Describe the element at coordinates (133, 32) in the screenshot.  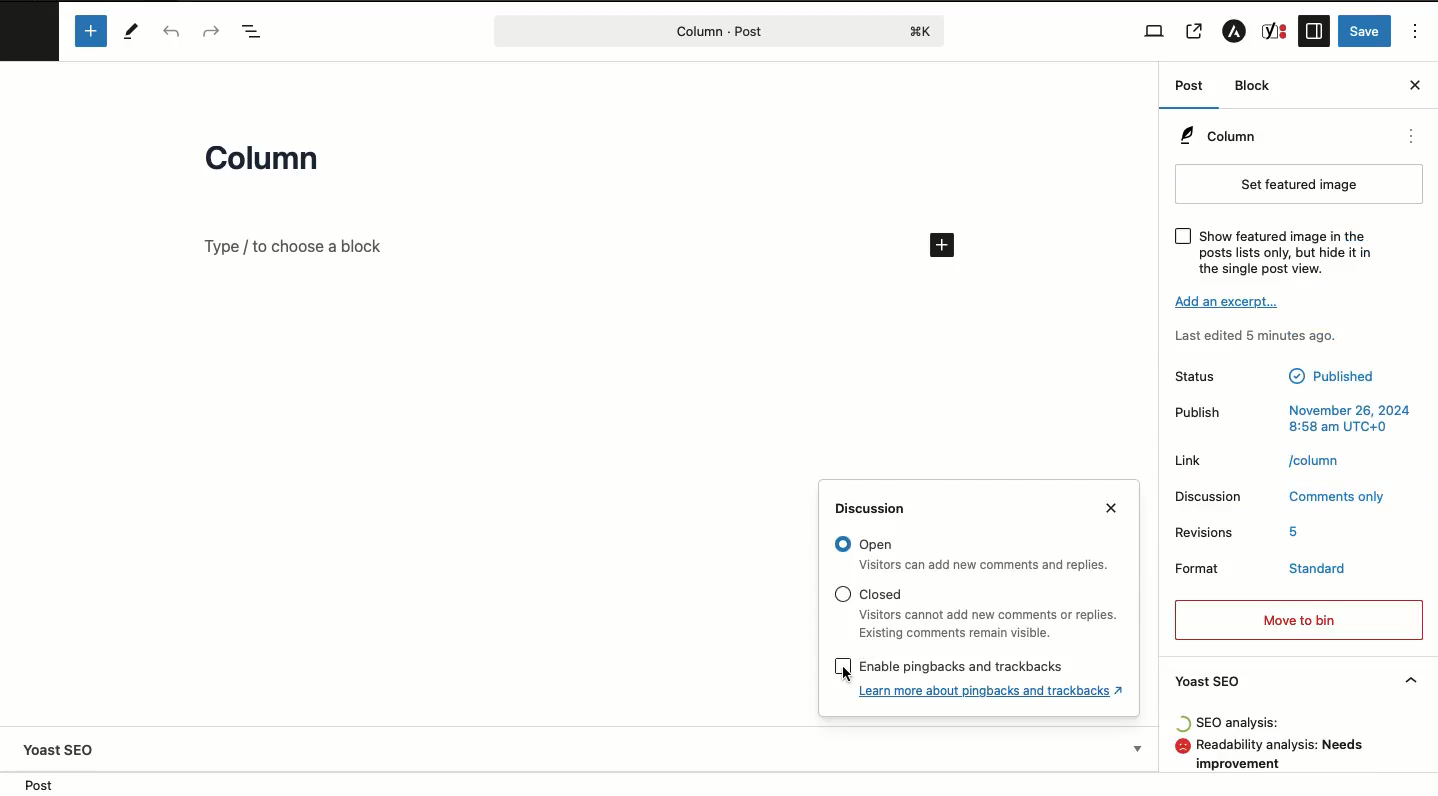
I see `Tools` at that location.